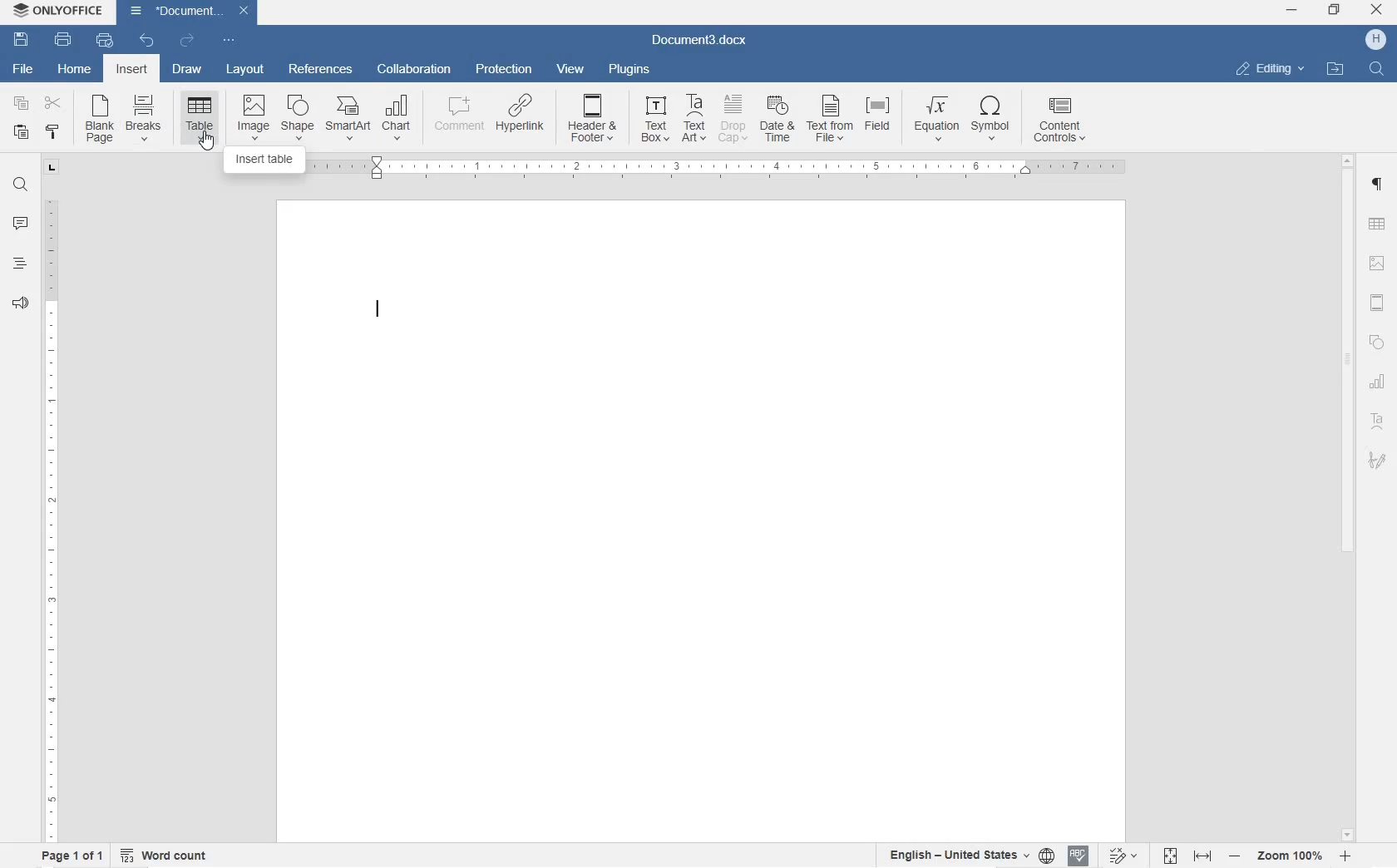 Image resolution: width=1397 pixels, height=868 pixels. What do you see at coordinates (1187, 857) in the screenshot?
I see `FIT TO PAGE OR WIDTH` at bounding box center [1187, 857].